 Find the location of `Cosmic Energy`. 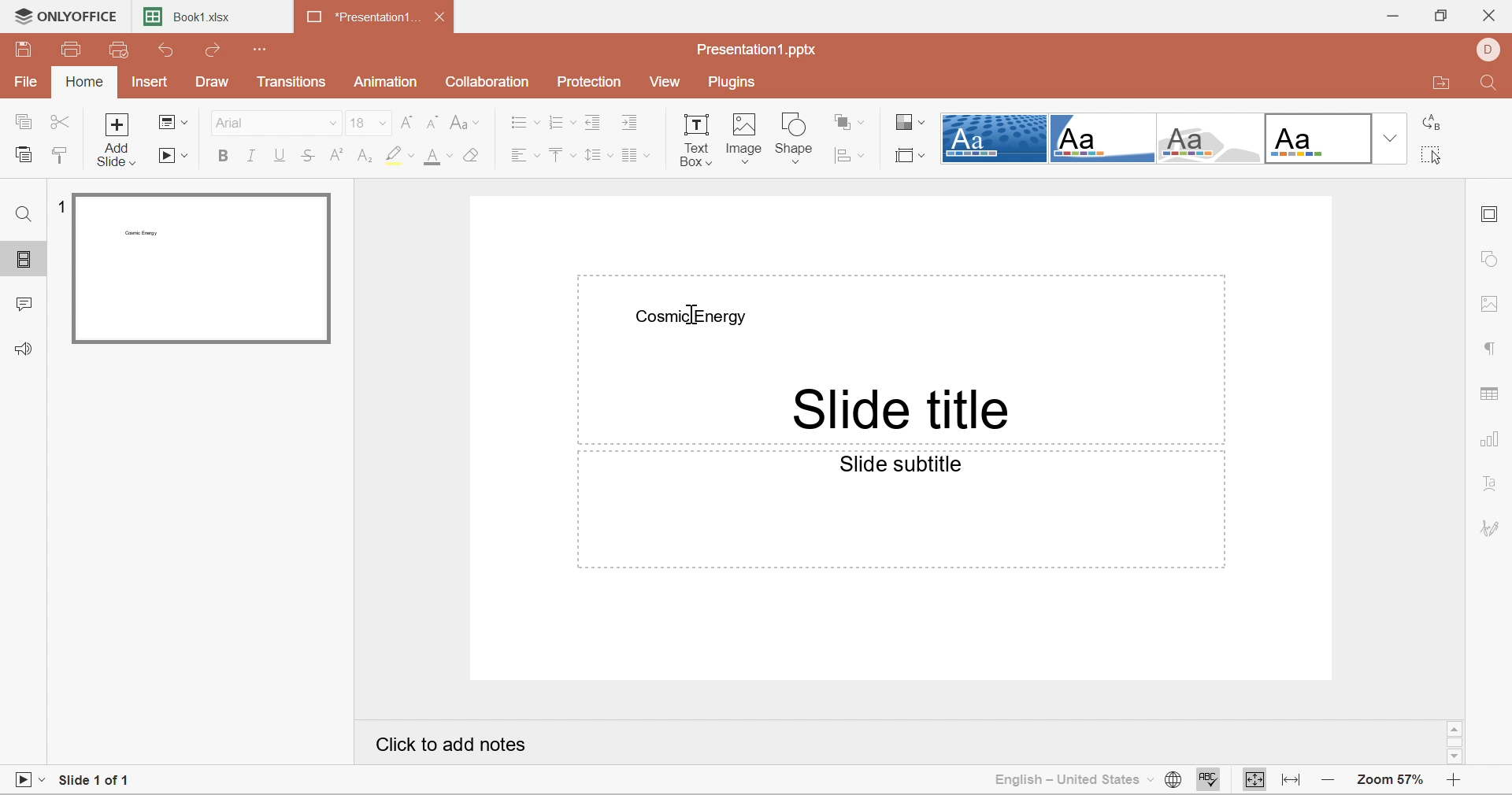

Cosmic Energy is located at coordinates (693, 314).